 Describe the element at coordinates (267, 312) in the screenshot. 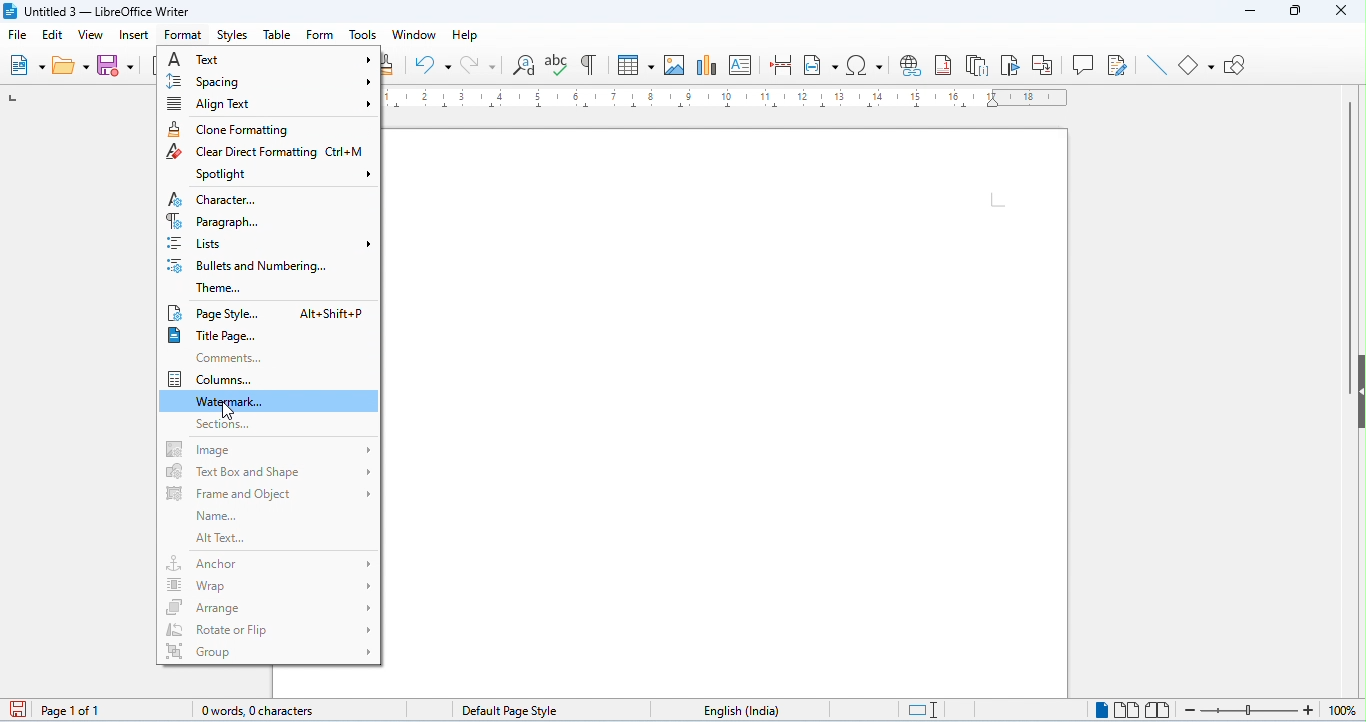

I see `page style` at that location.